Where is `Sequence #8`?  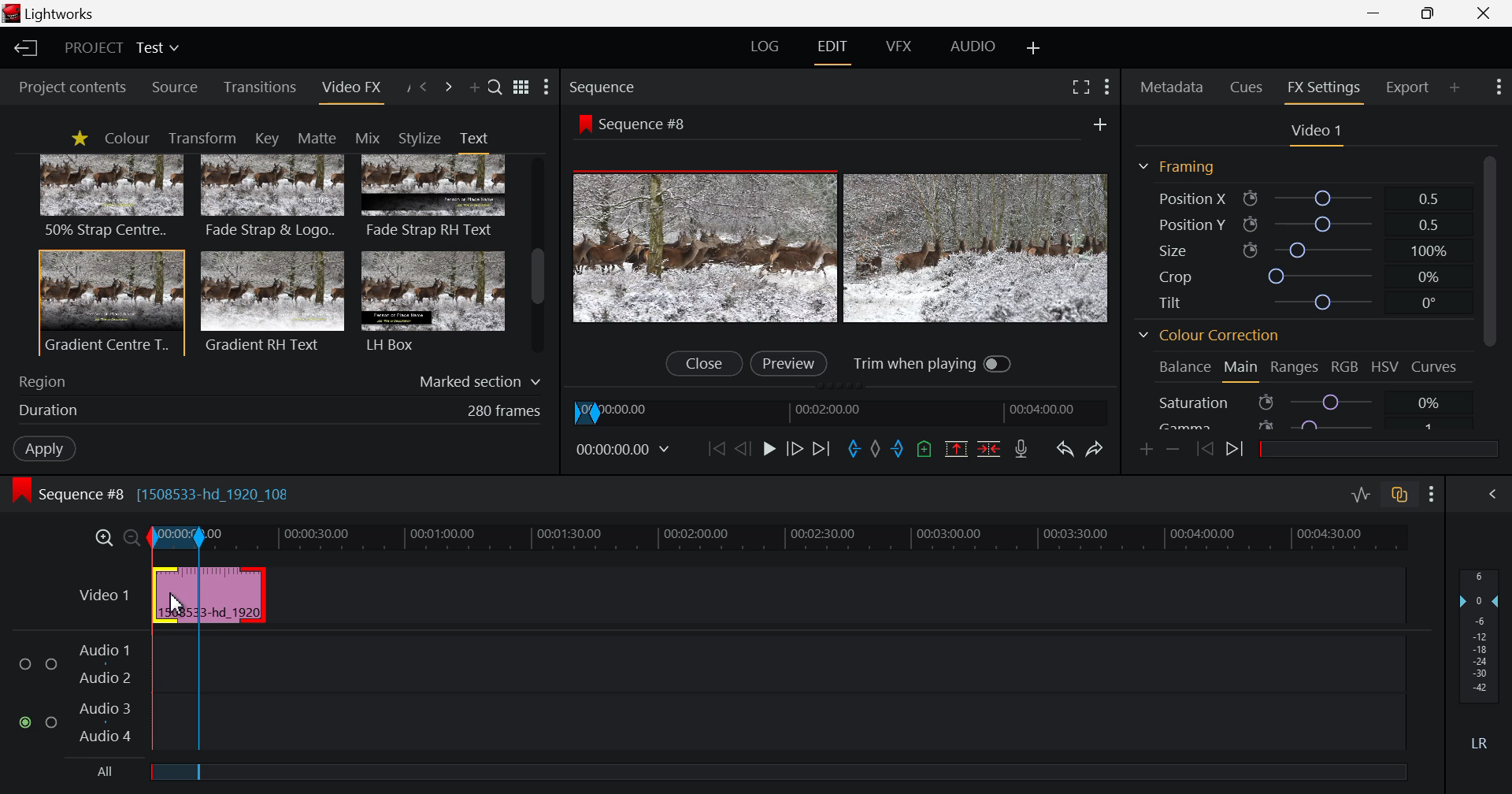
Sequence #8 is located at coordinates (639, 122).